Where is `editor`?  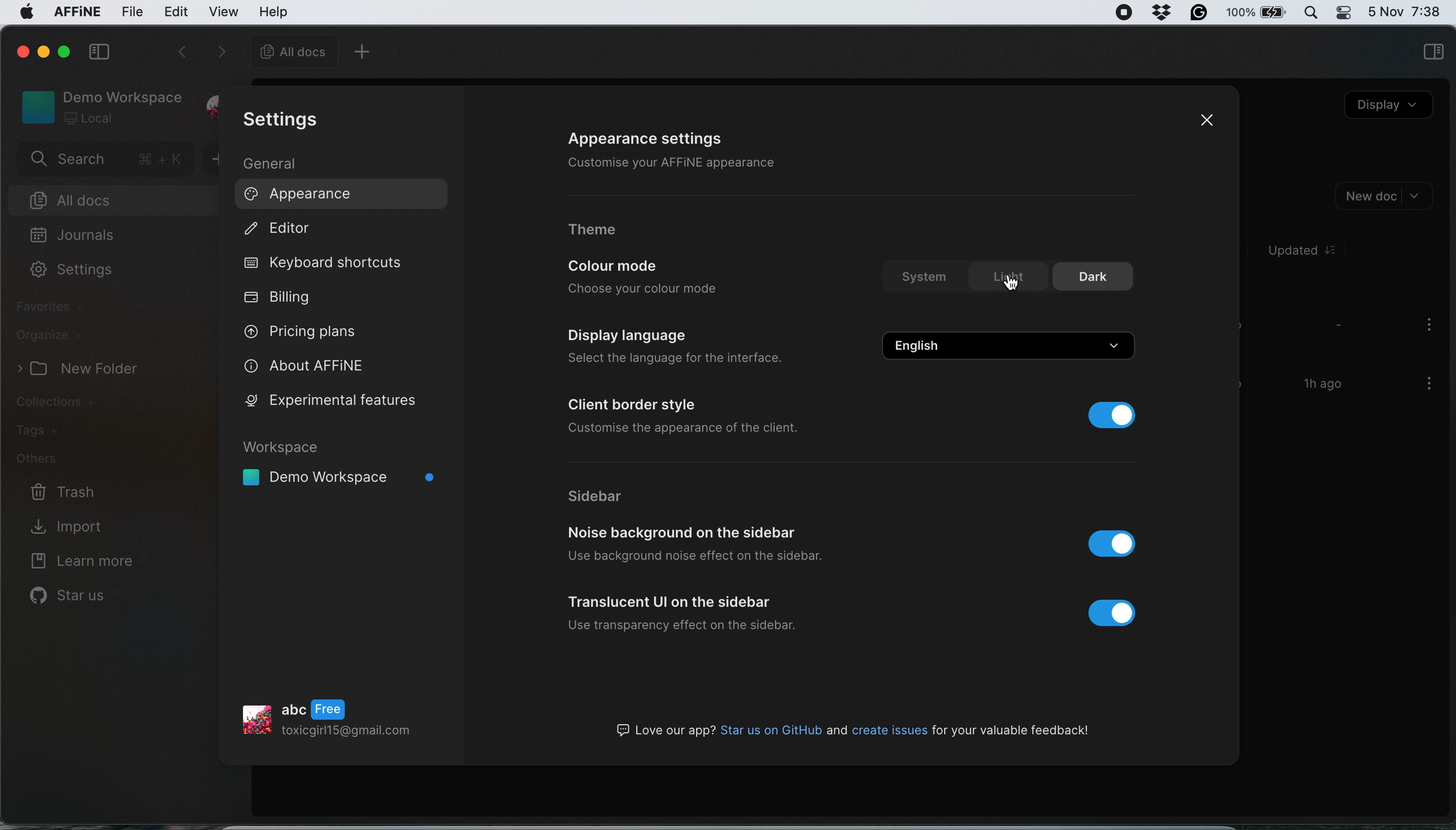 editor is located at coordinates (283, 231).